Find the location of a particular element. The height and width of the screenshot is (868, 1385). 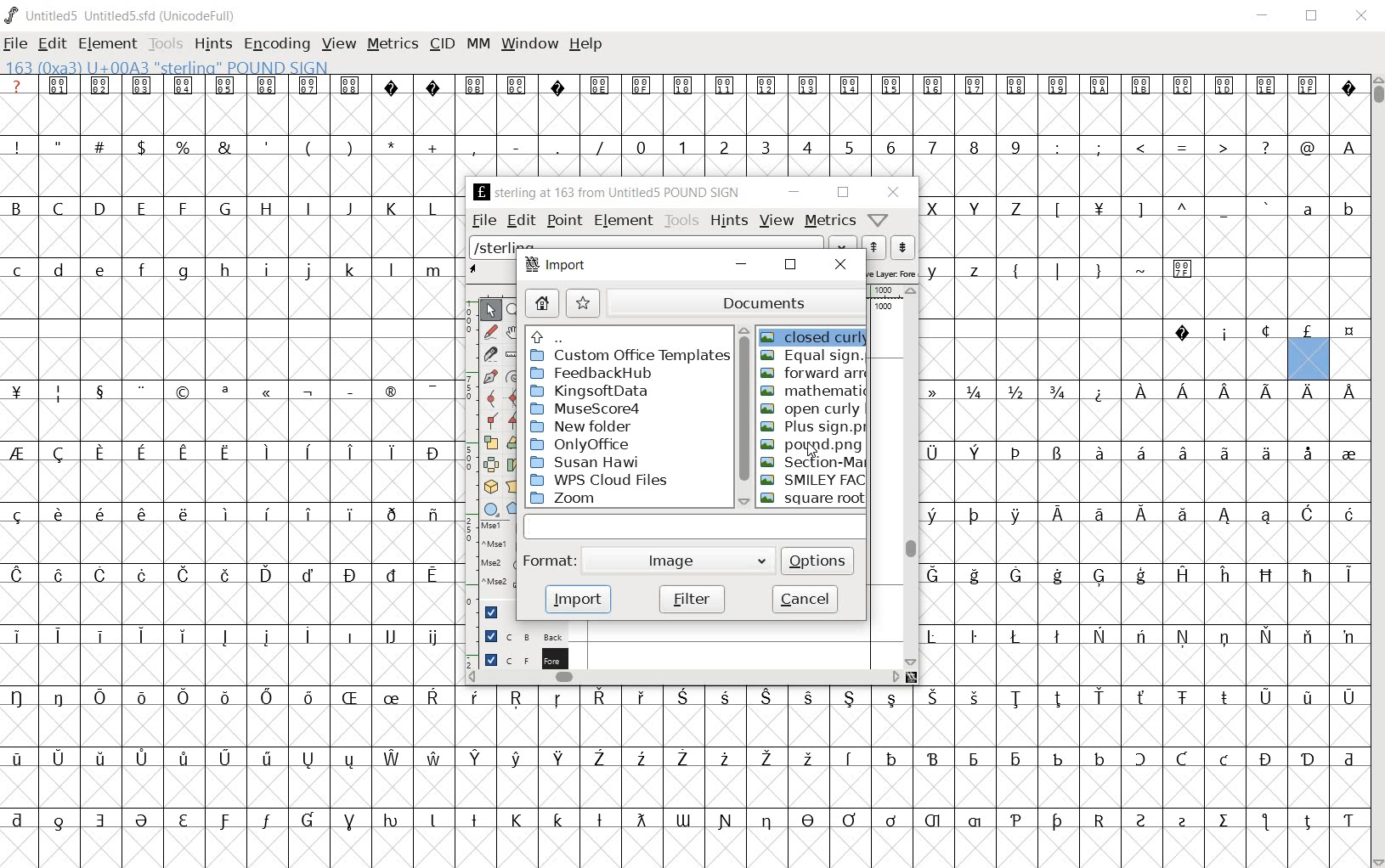

Symbol is located at coordinates (1266, 575).